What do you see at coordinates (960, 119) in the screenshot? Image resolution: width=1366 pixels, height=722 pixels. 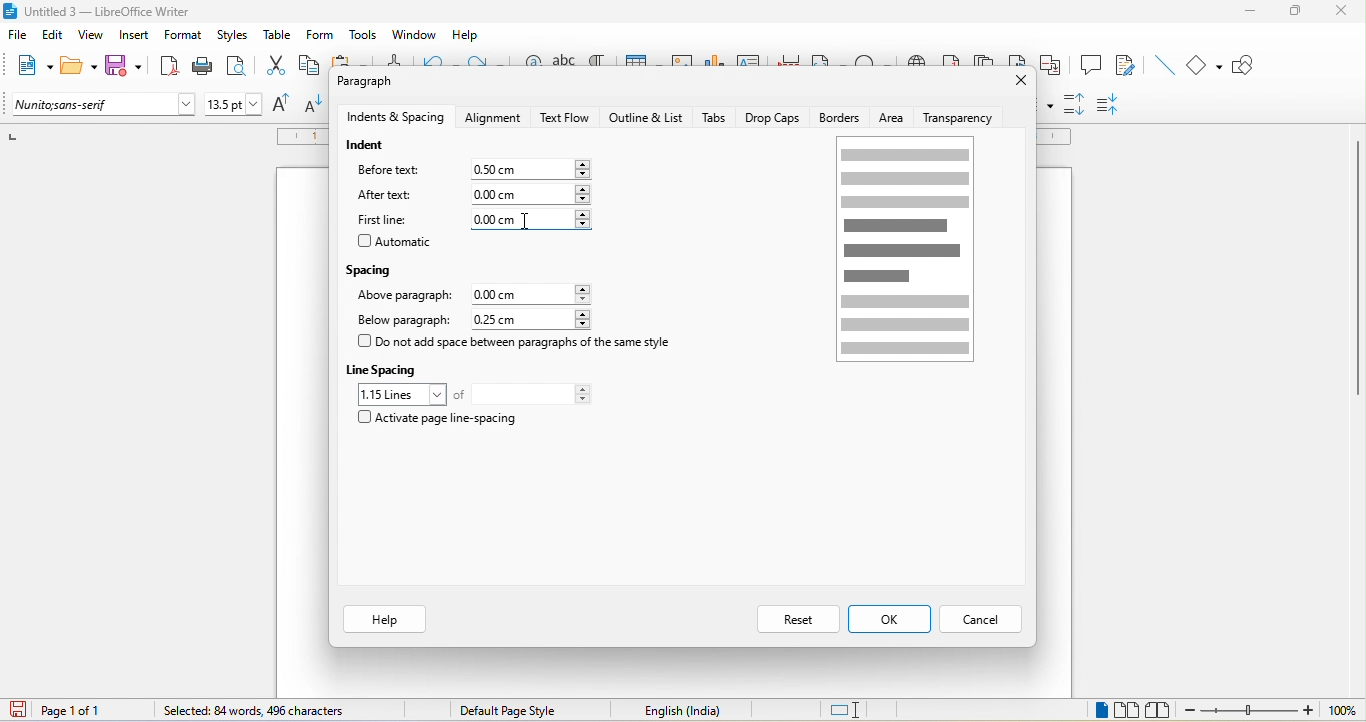 I see `transparency` at bounding box center [960, 119].